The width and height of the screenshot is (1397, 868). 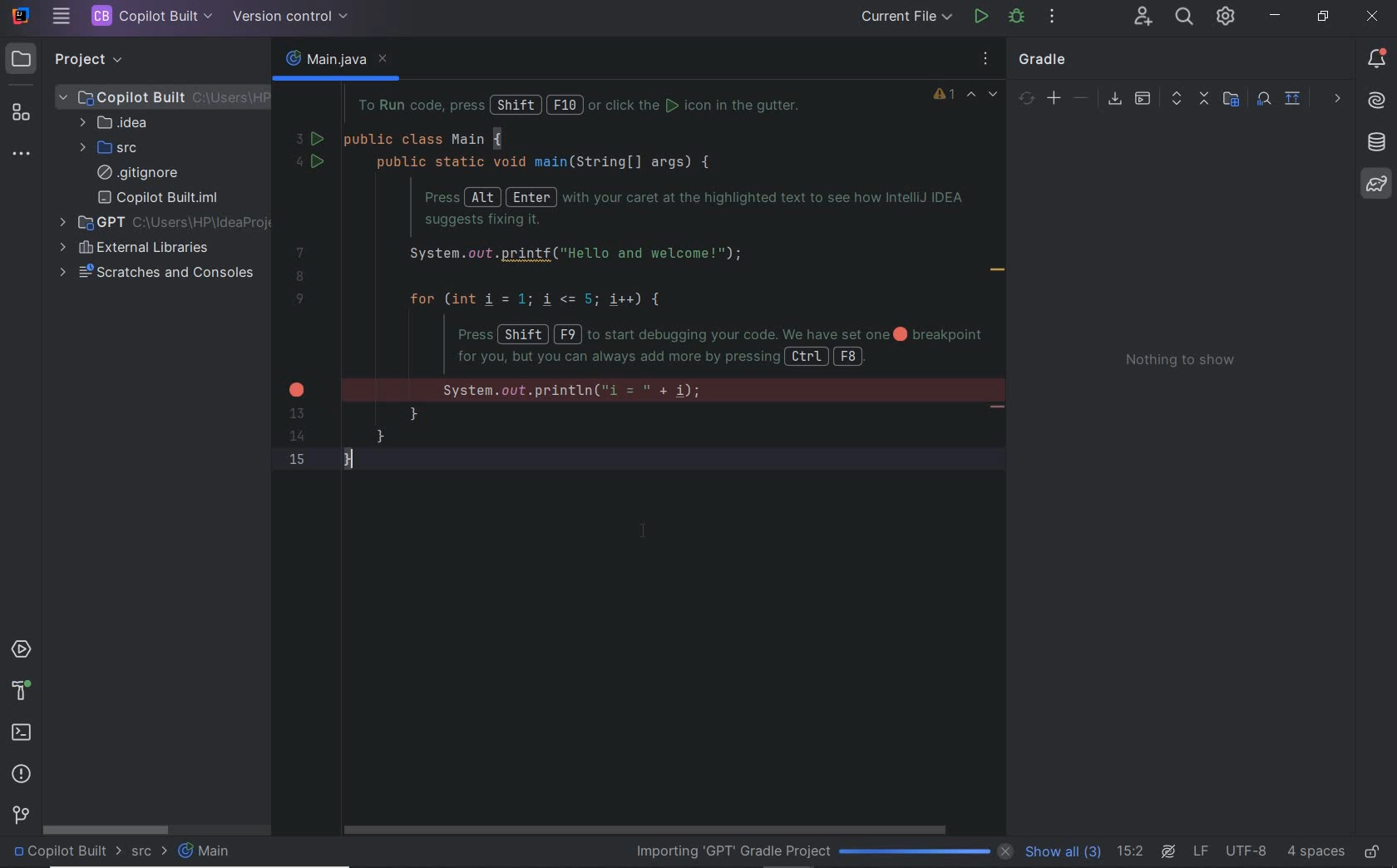 I want to click on gradle, so click(x=1378, y=183).